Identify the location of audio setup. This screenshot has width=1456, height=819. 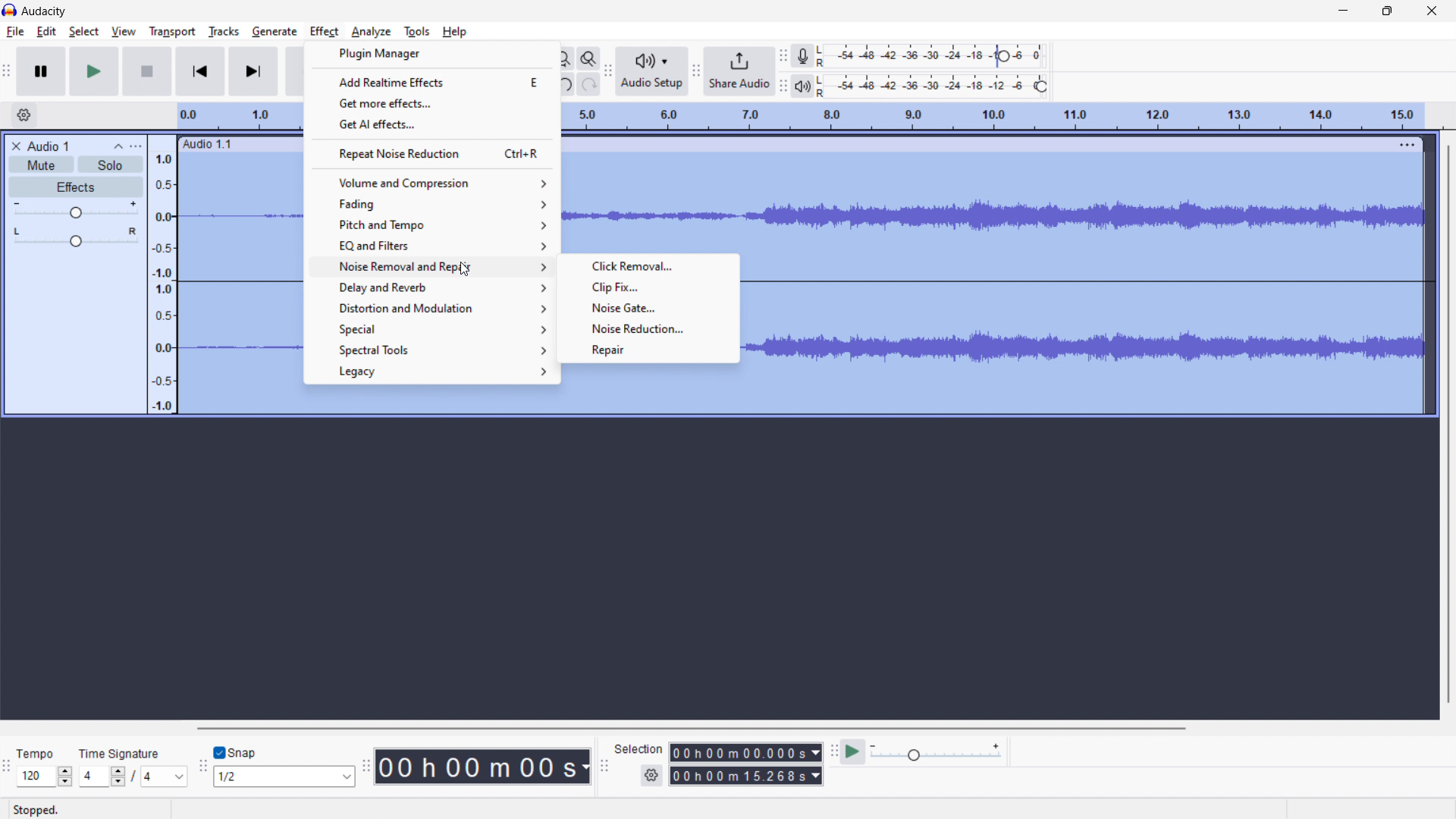
(651, 71).